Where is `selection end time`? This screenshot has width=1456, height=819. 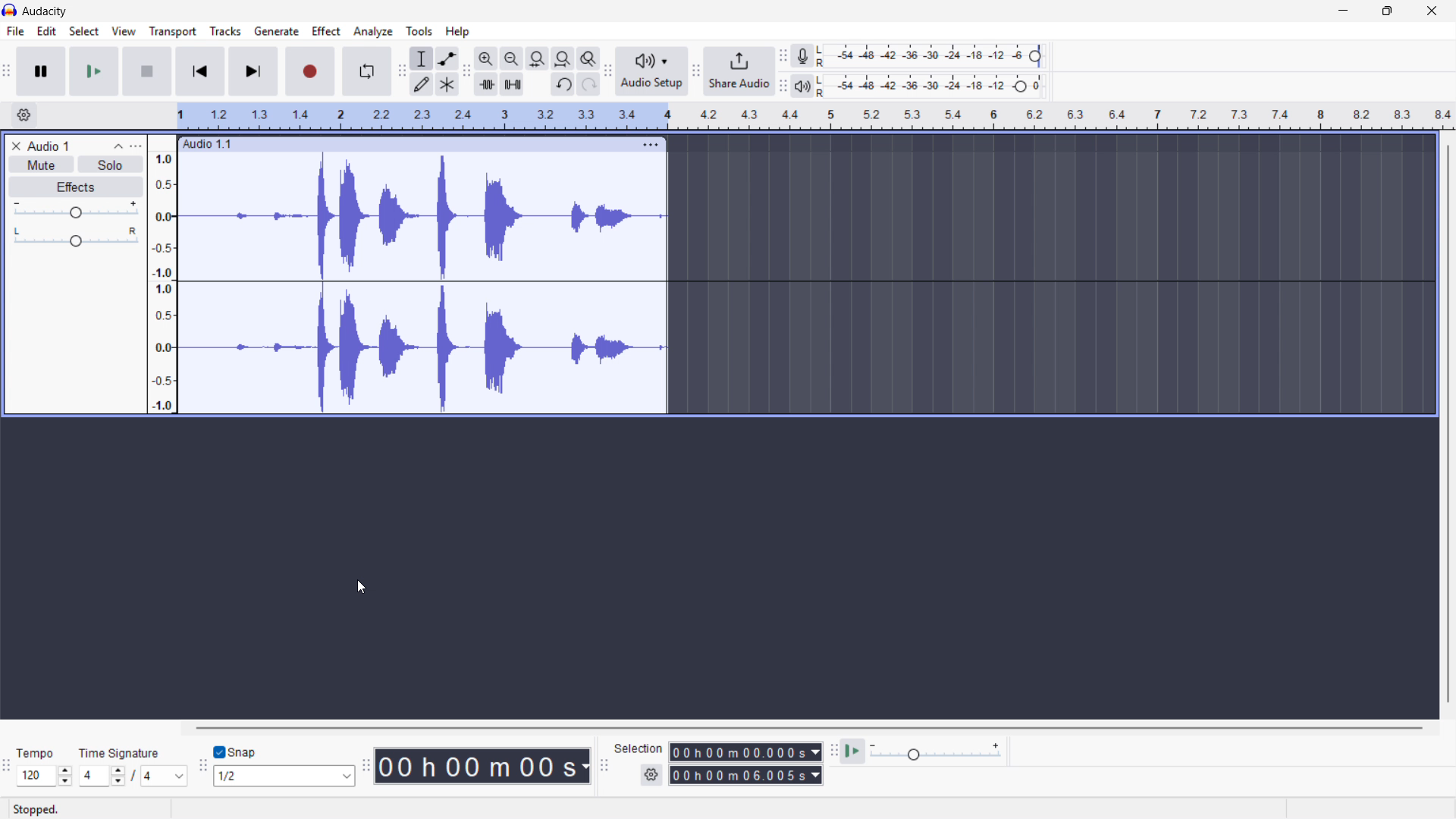
selection end time is located at coordinates (745, 776).